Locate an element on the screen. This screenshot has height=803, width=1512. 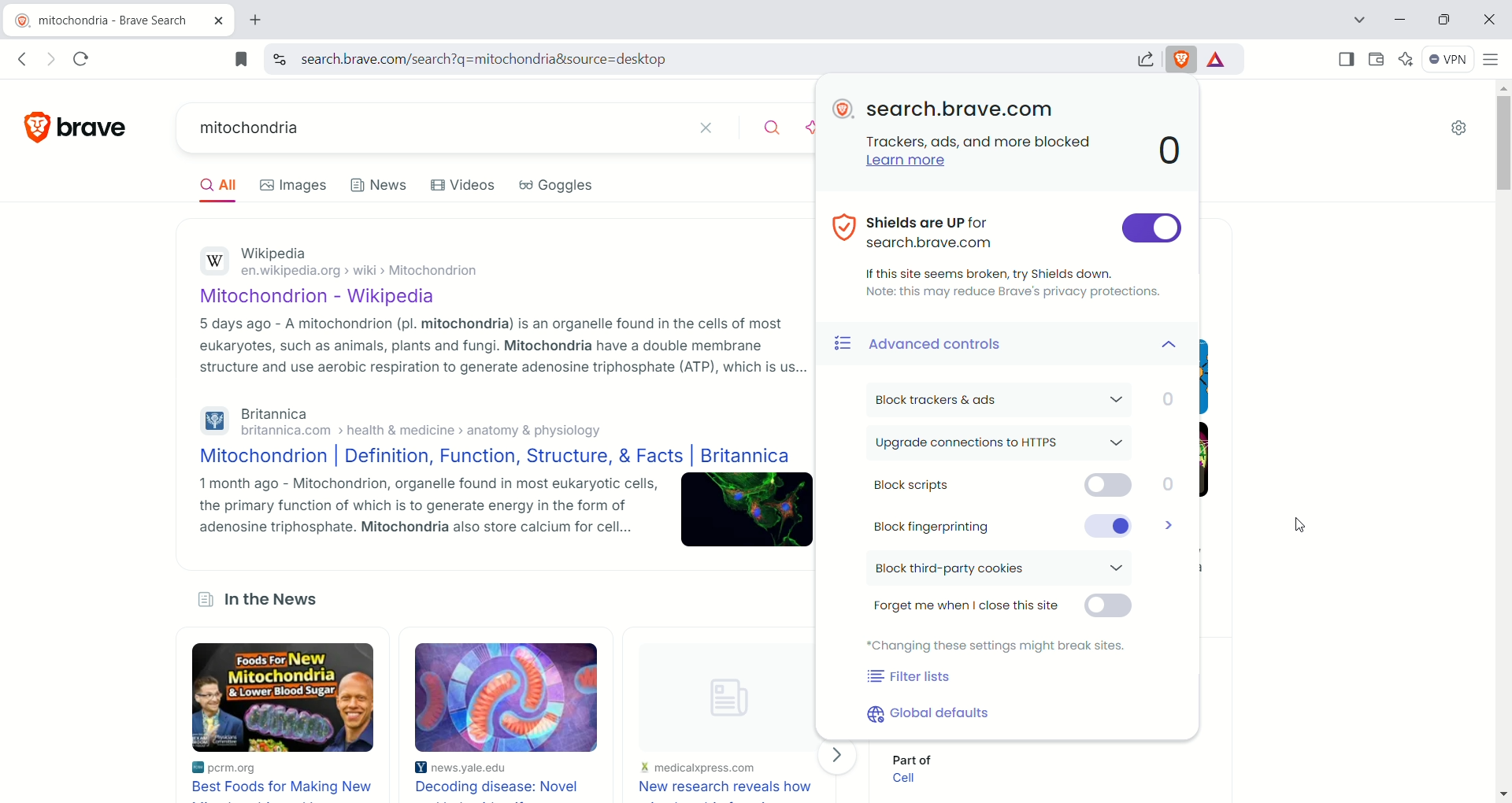
All is located at coordinates (223, 188).